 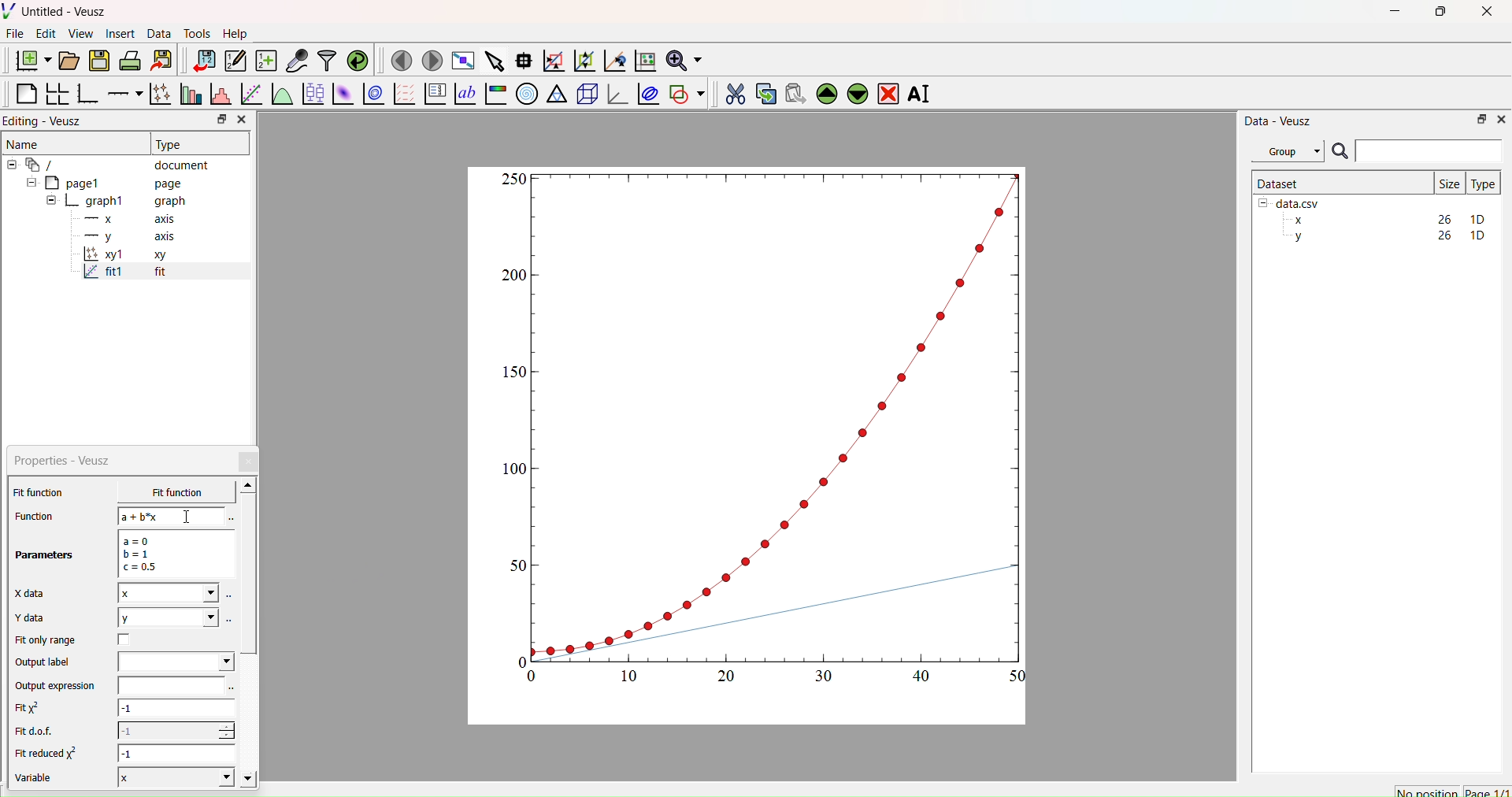 I want to click on Import data, so click(x=200, y=61).